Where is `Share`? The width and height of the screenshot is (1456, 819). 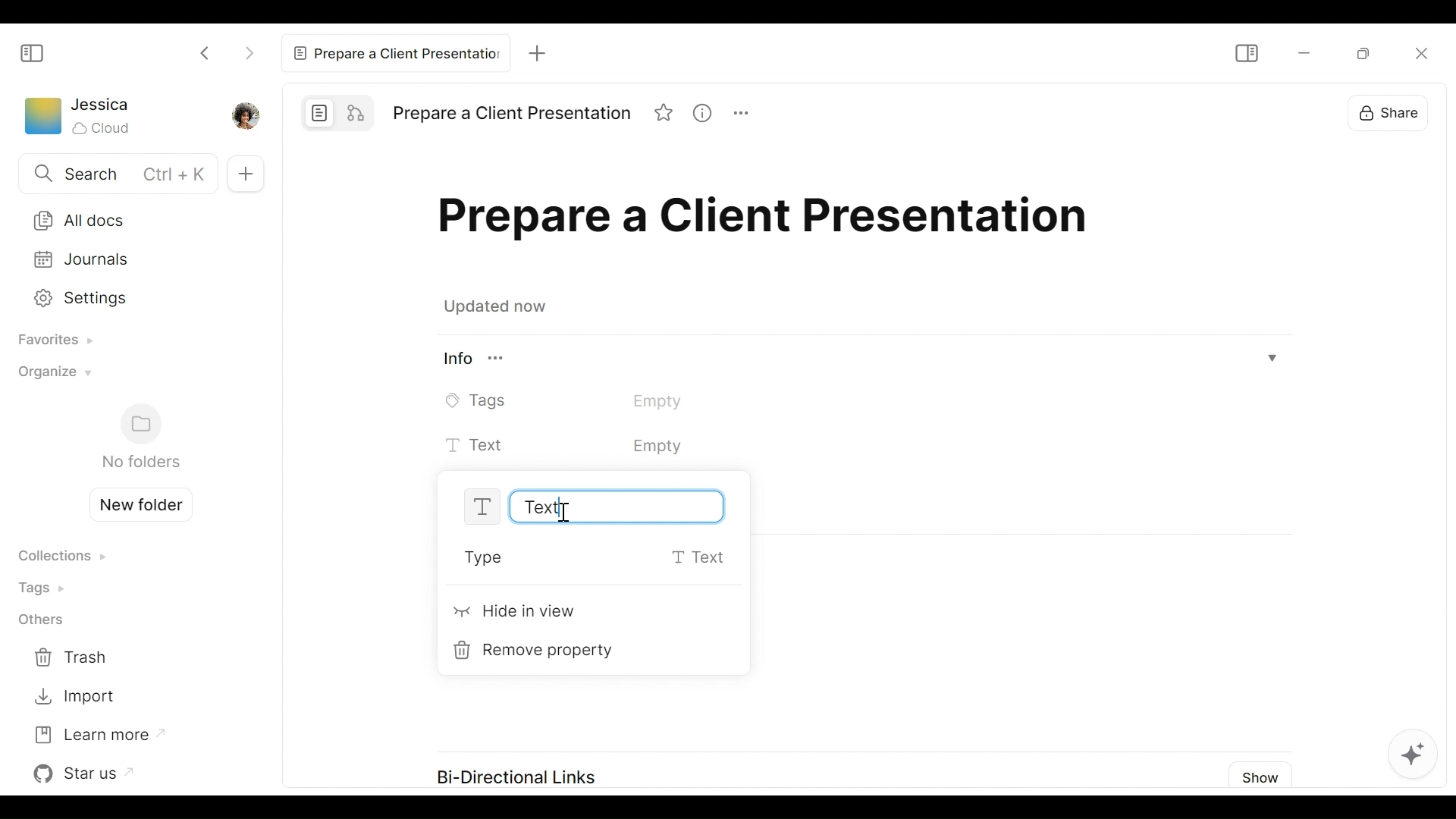 Share is located at coordinates (1400, 112).